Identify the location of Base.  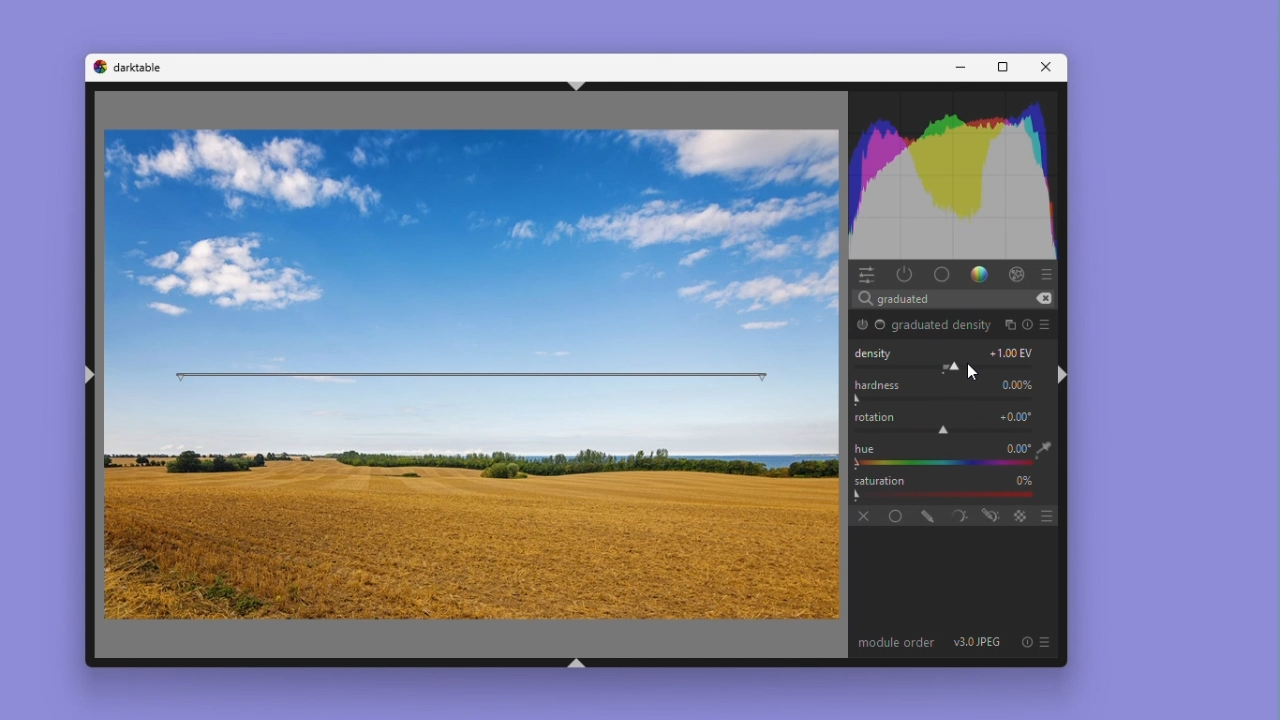
(881, 326).